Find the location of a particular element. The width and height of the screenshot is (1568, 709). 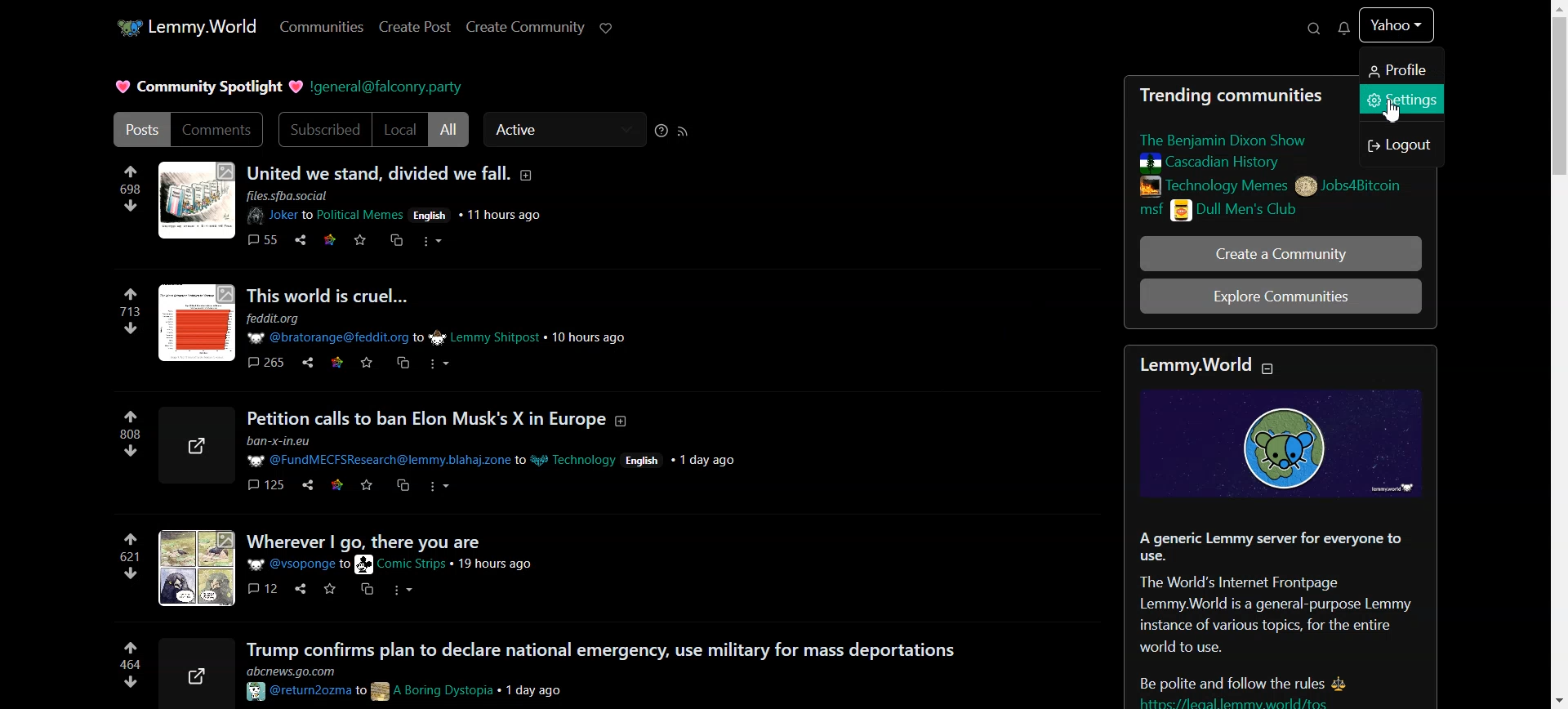

RSS is located at coordinates (684, 130).